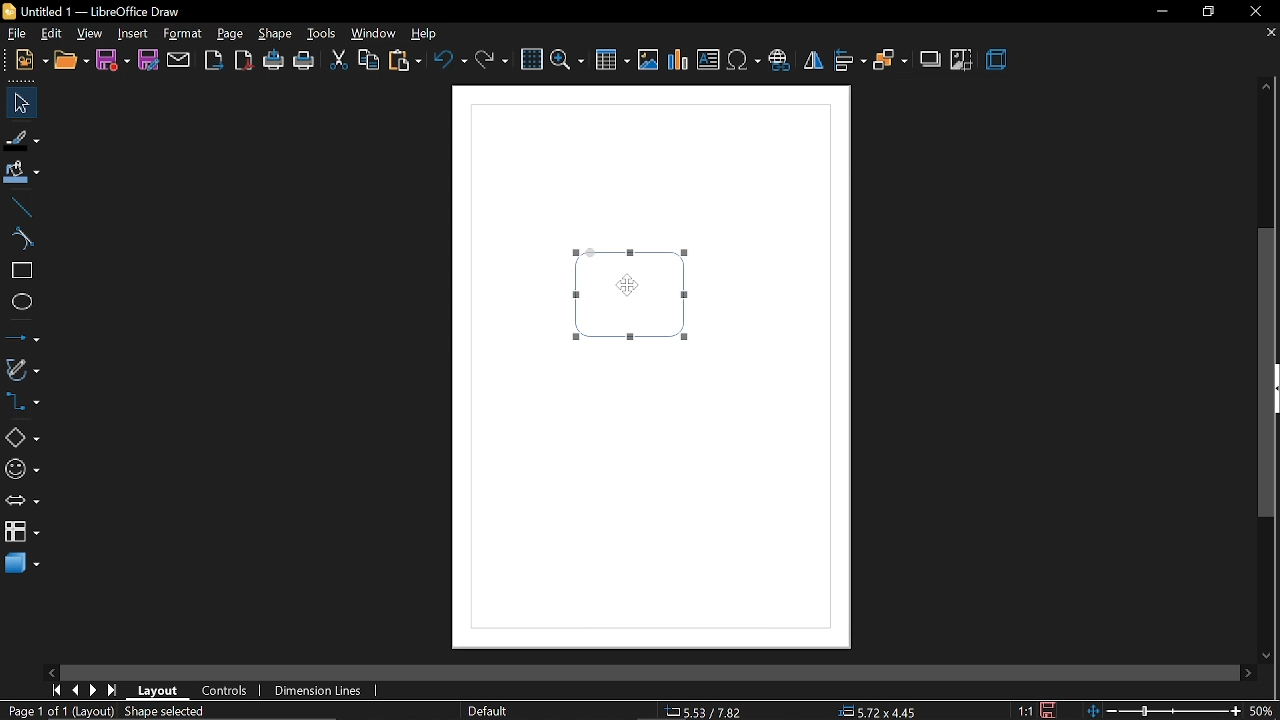 This screenshot has width=1280, height=720. I want to click on insert text, so click(710, 60).